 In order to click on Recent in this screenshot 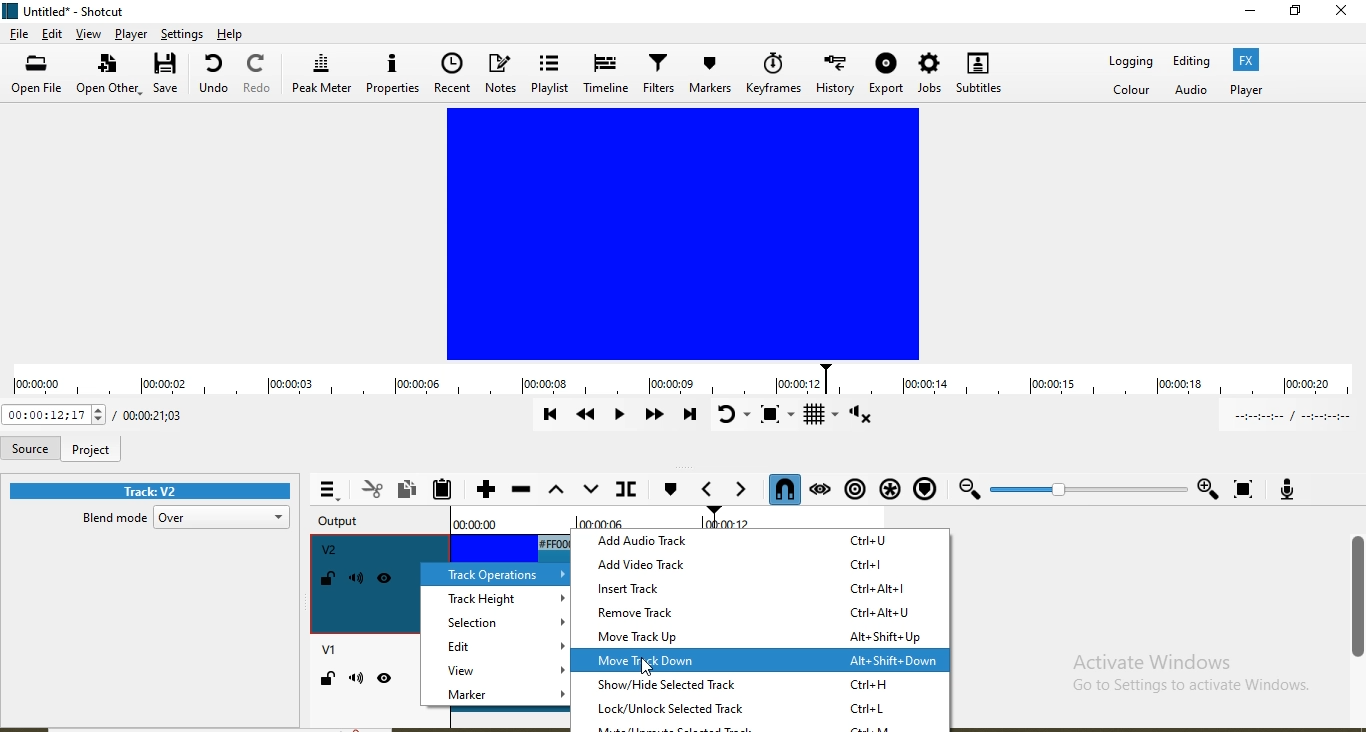, I will do `click(452, 74)`.